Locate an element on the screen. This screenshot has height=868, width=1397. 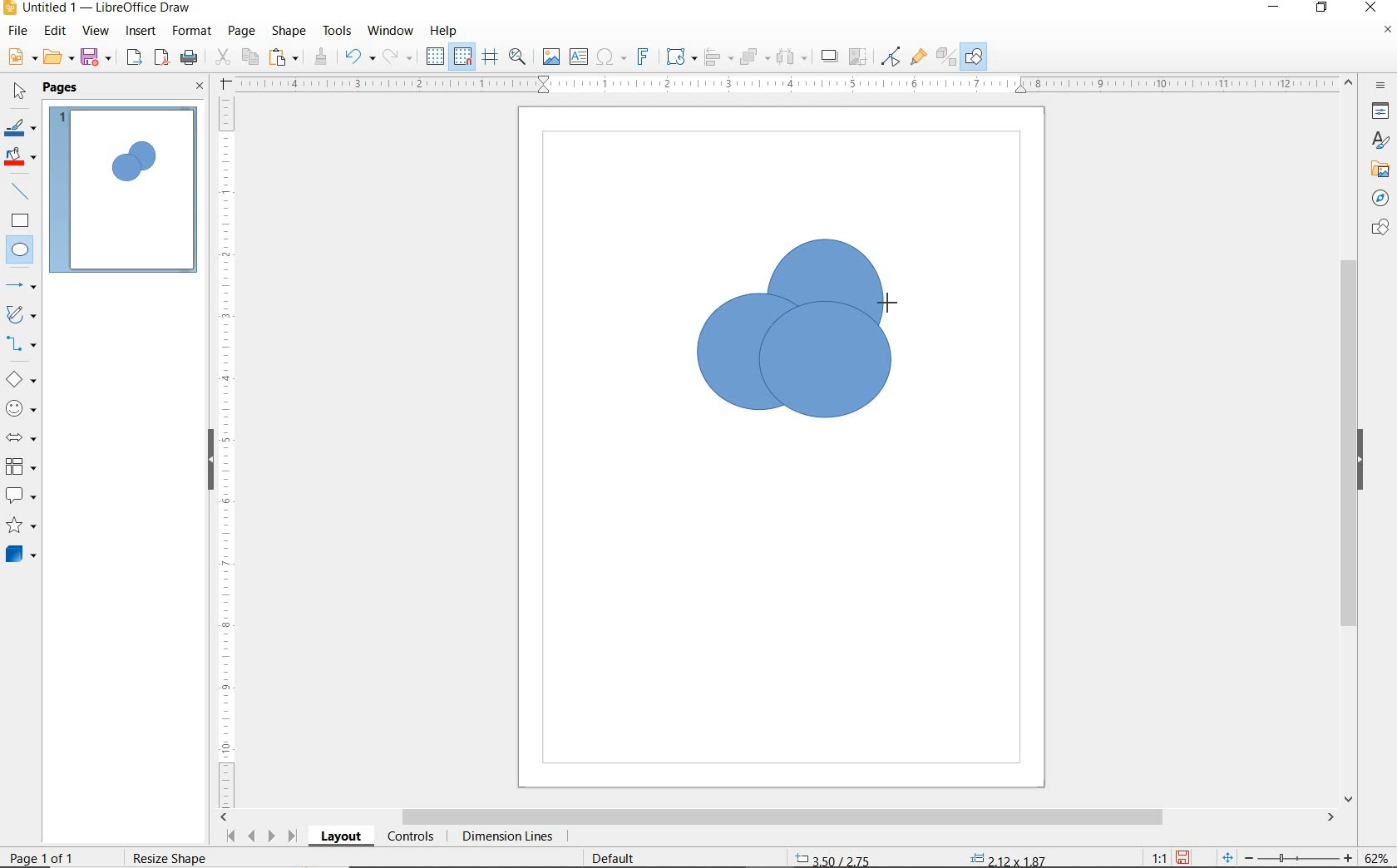
COPY is located at coordinates (250, 56).